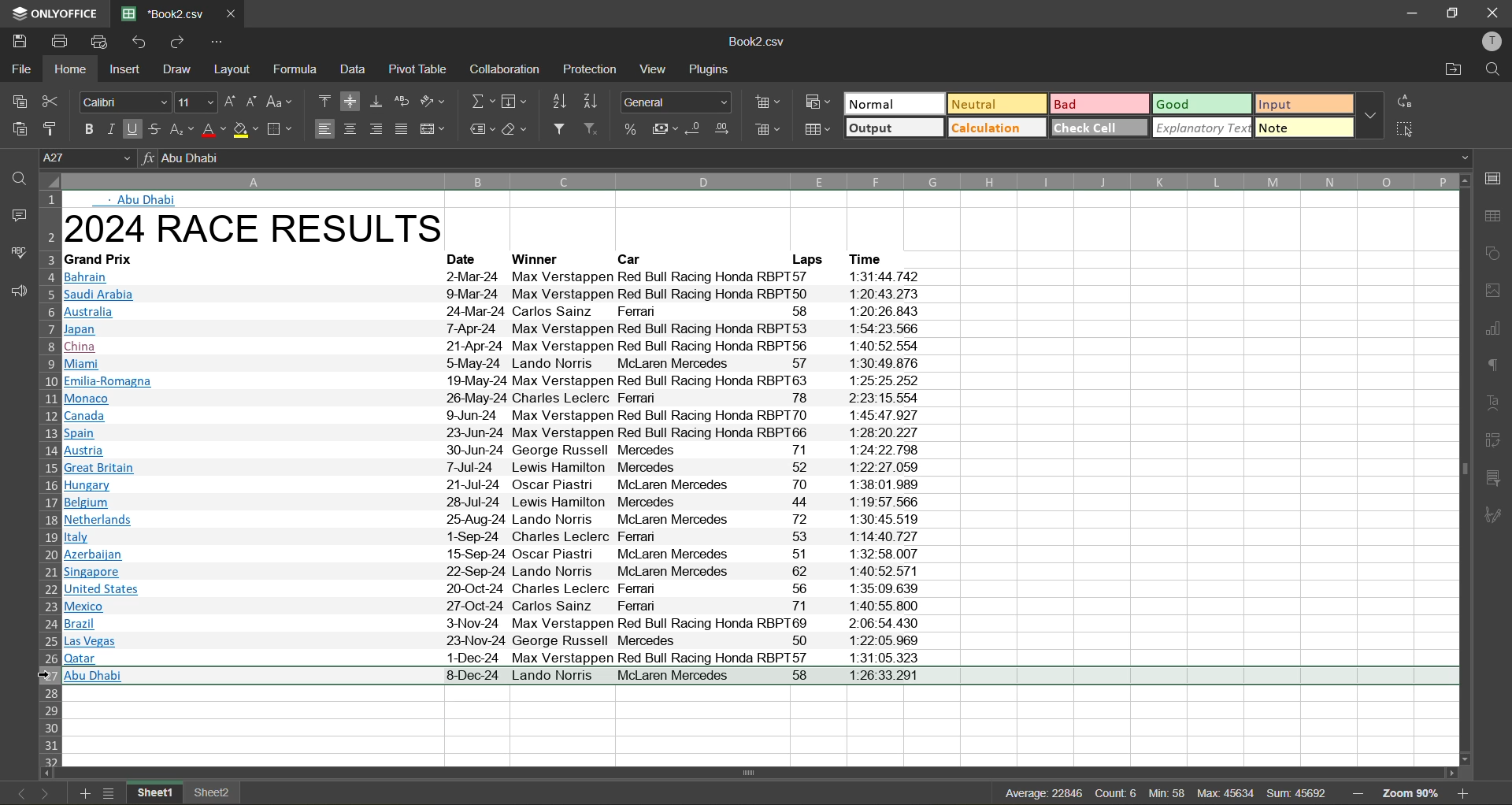  Describe the element at coordinates (13, 176) in the screenshot. I see `open` at that location.